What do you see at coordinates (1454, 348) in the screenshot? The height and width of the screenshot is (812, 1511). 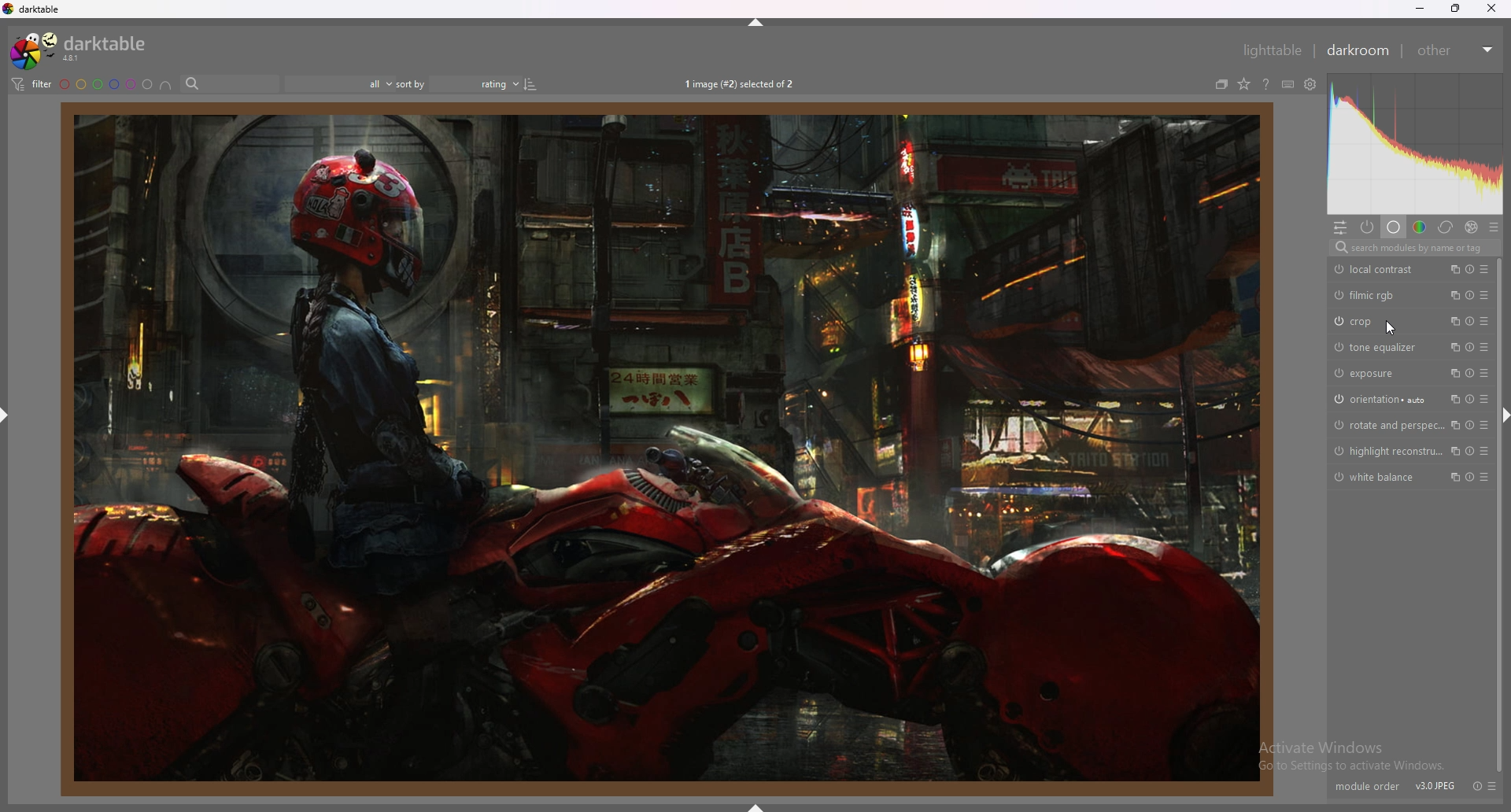 I see `multiple instances action` at bounding box center [1454, 348].